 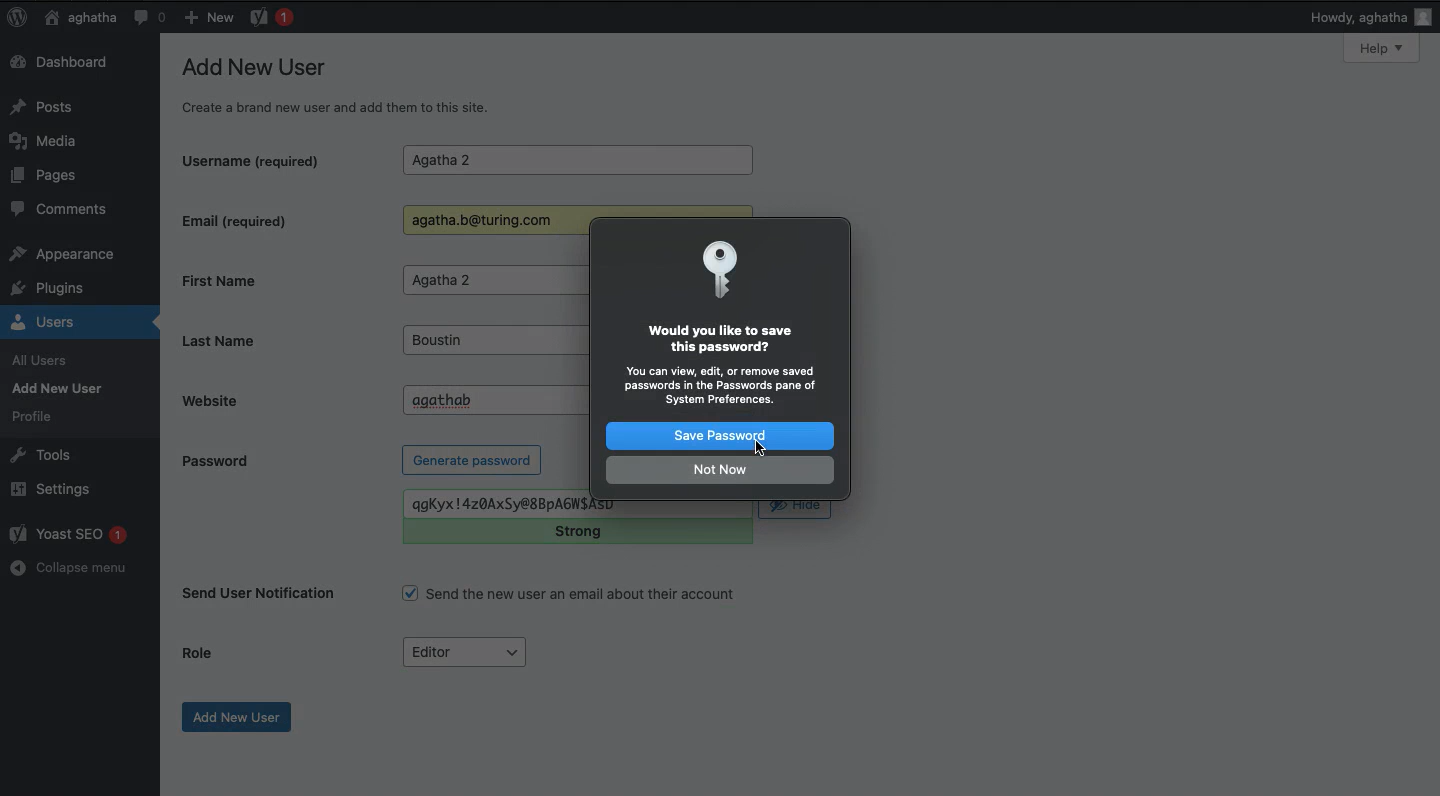 What do you see at coordinates (42, 453) in the screenshot?
I see `Tools` at bounding box center [42, 453].